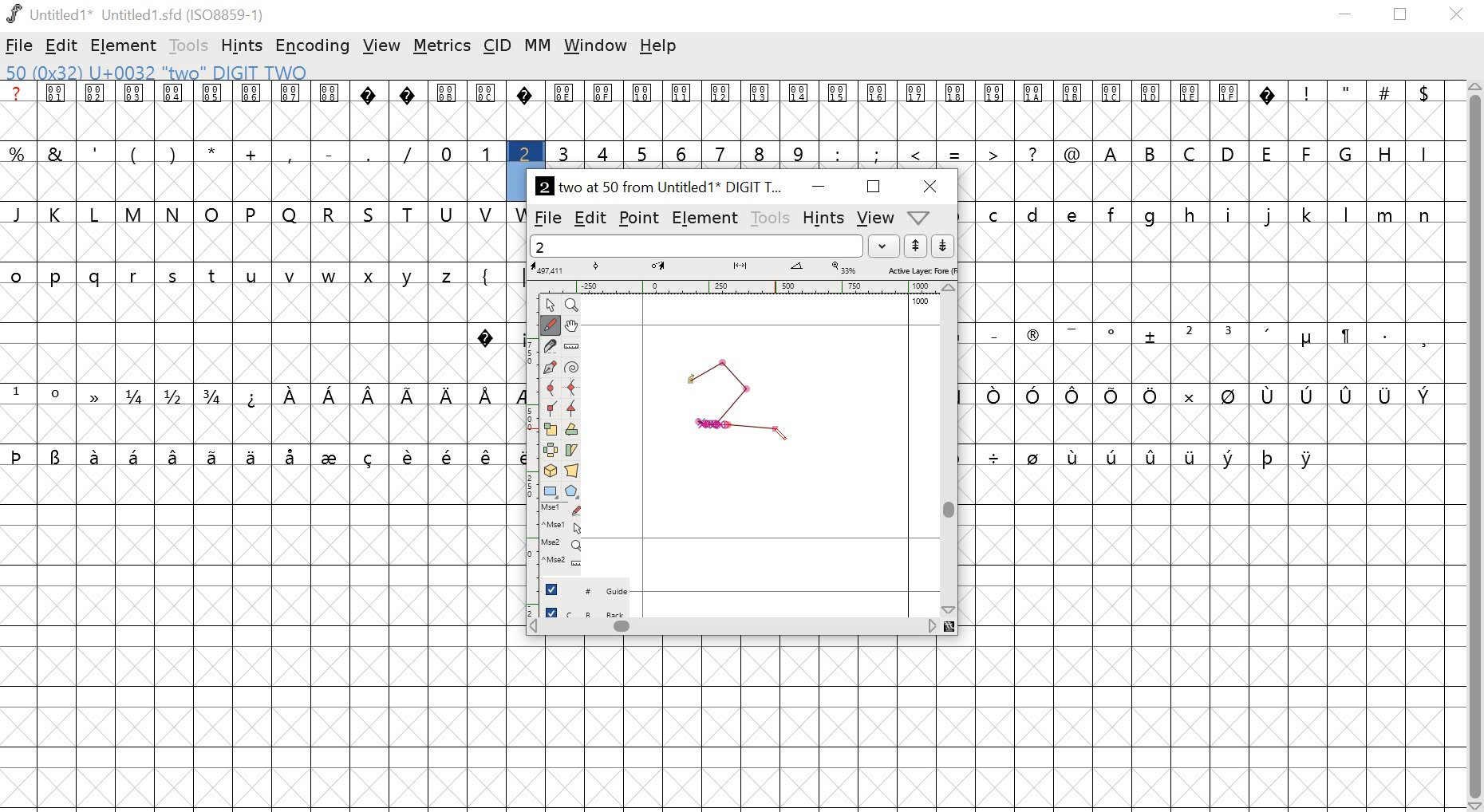  Describe the element at coordinates (570, 327) in the screenshot. I see `pan` at that location.